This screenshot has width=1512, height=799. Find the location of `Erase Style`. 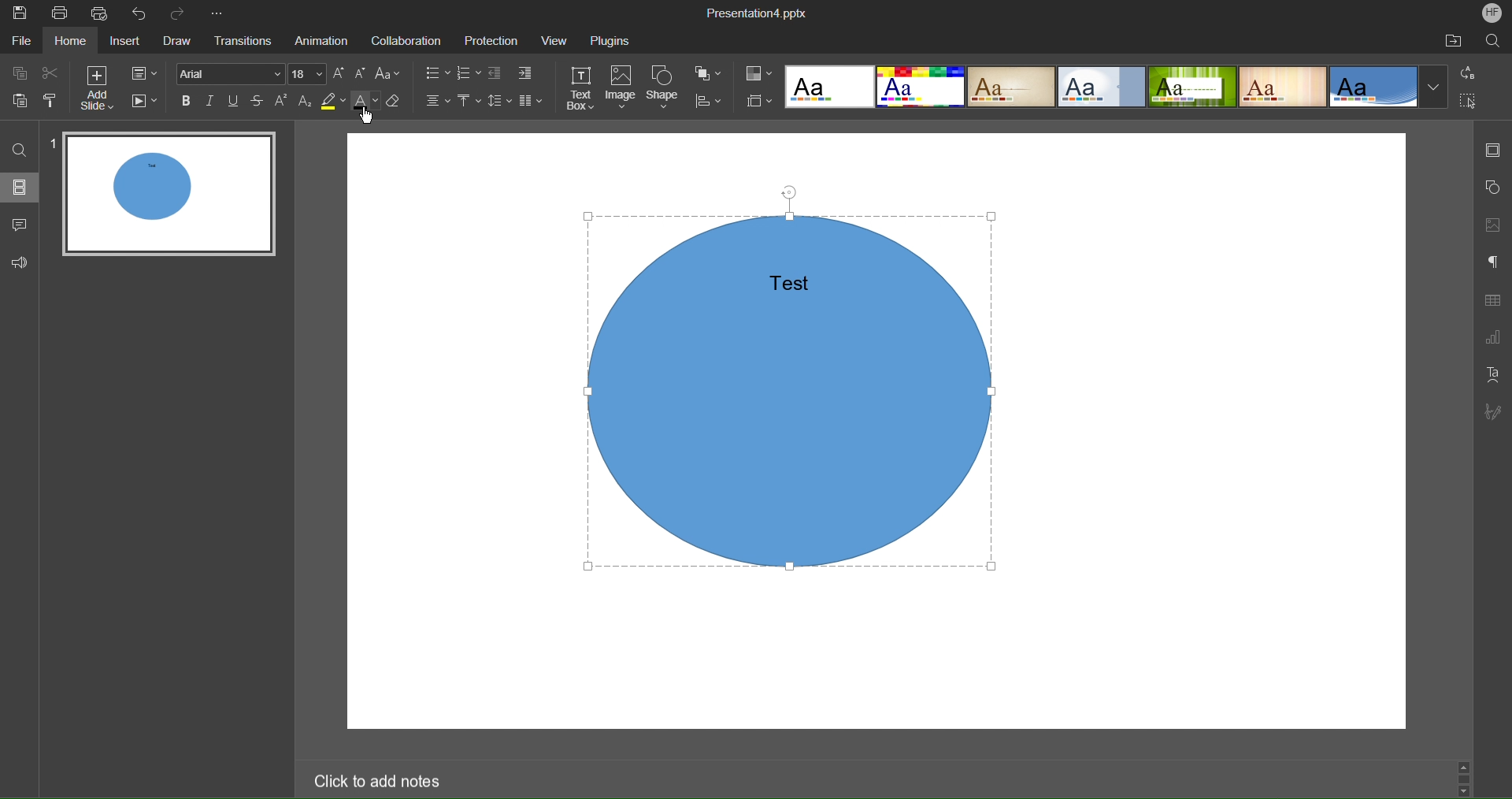

Erase Style is located at coordinates (396, 104).